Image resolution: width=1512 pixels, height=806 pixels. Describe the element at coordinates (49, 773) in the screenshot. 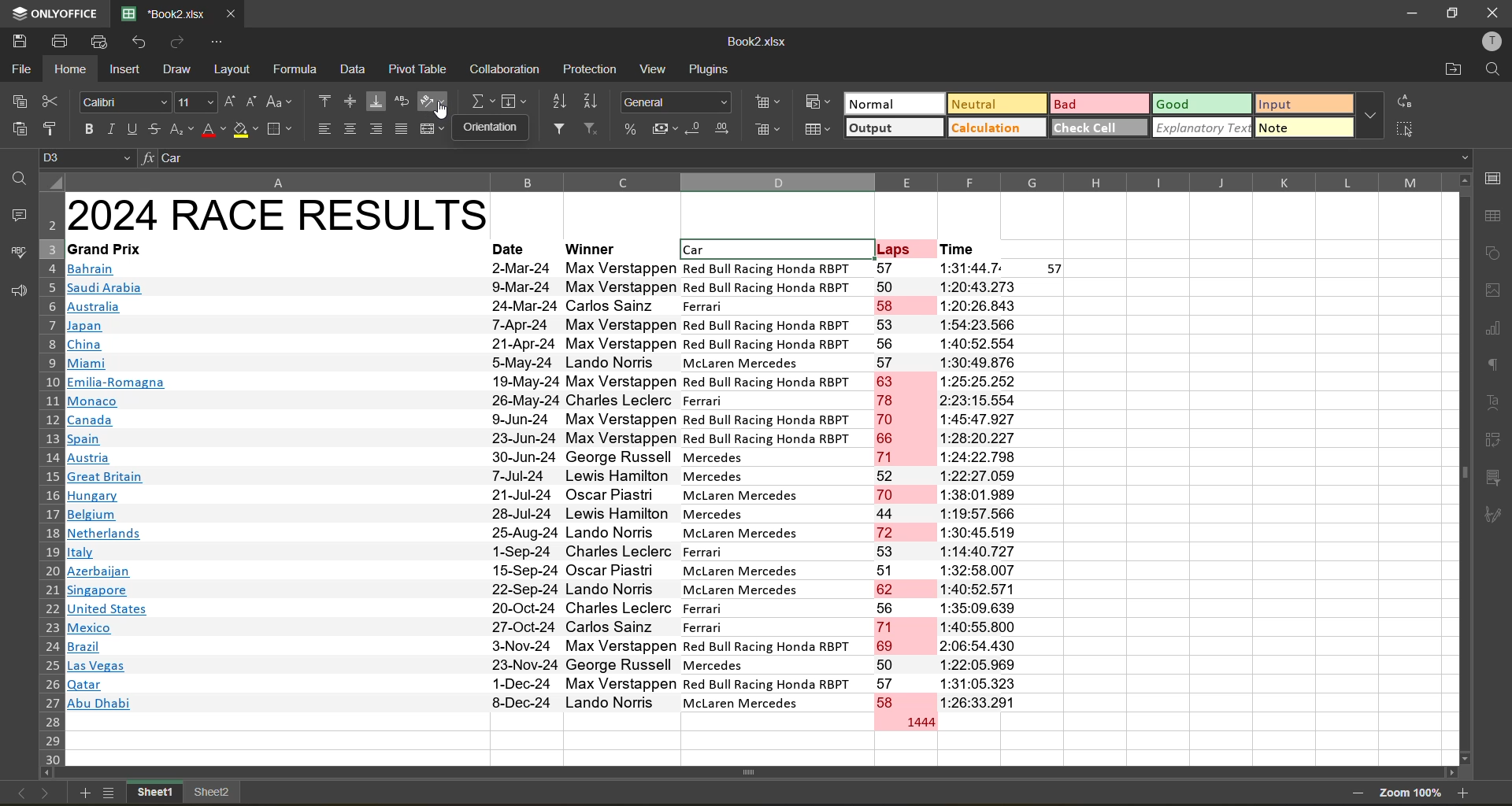

I see `Scroll left` at that location.